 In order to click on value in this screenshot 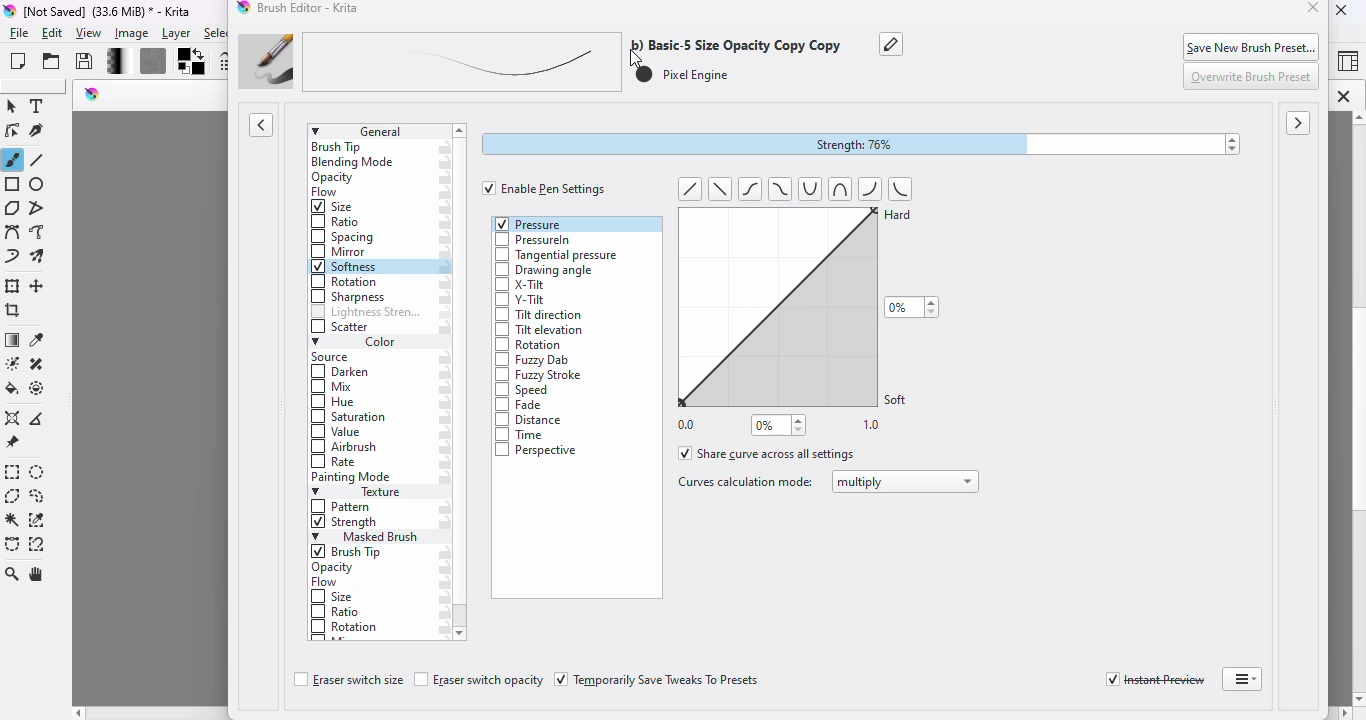, I will do `click(337, 434)`.